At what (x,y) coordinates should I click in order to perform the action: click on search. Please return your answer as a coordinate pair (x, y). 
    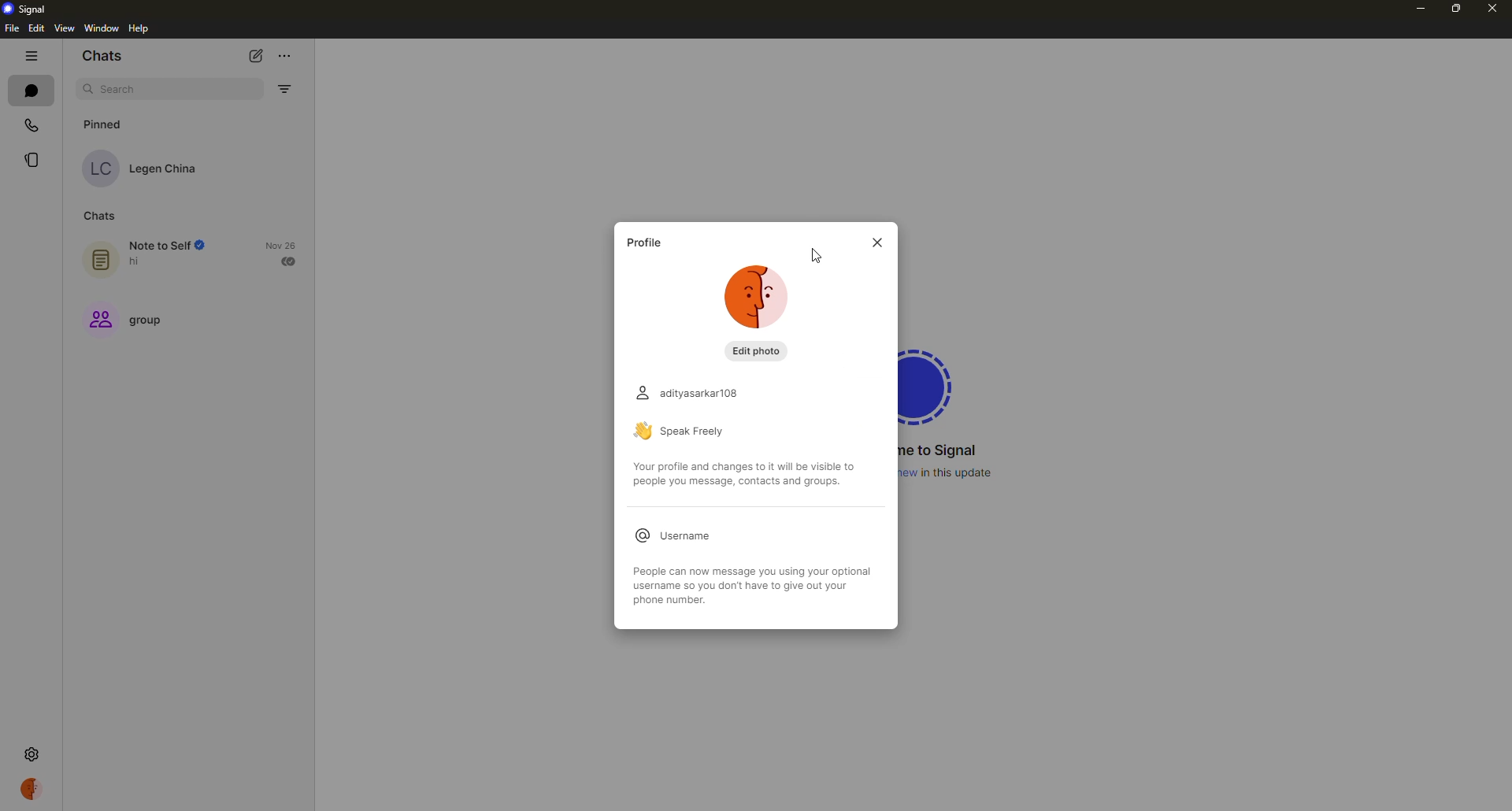
    Looking at the image, I should click on (123, 90).